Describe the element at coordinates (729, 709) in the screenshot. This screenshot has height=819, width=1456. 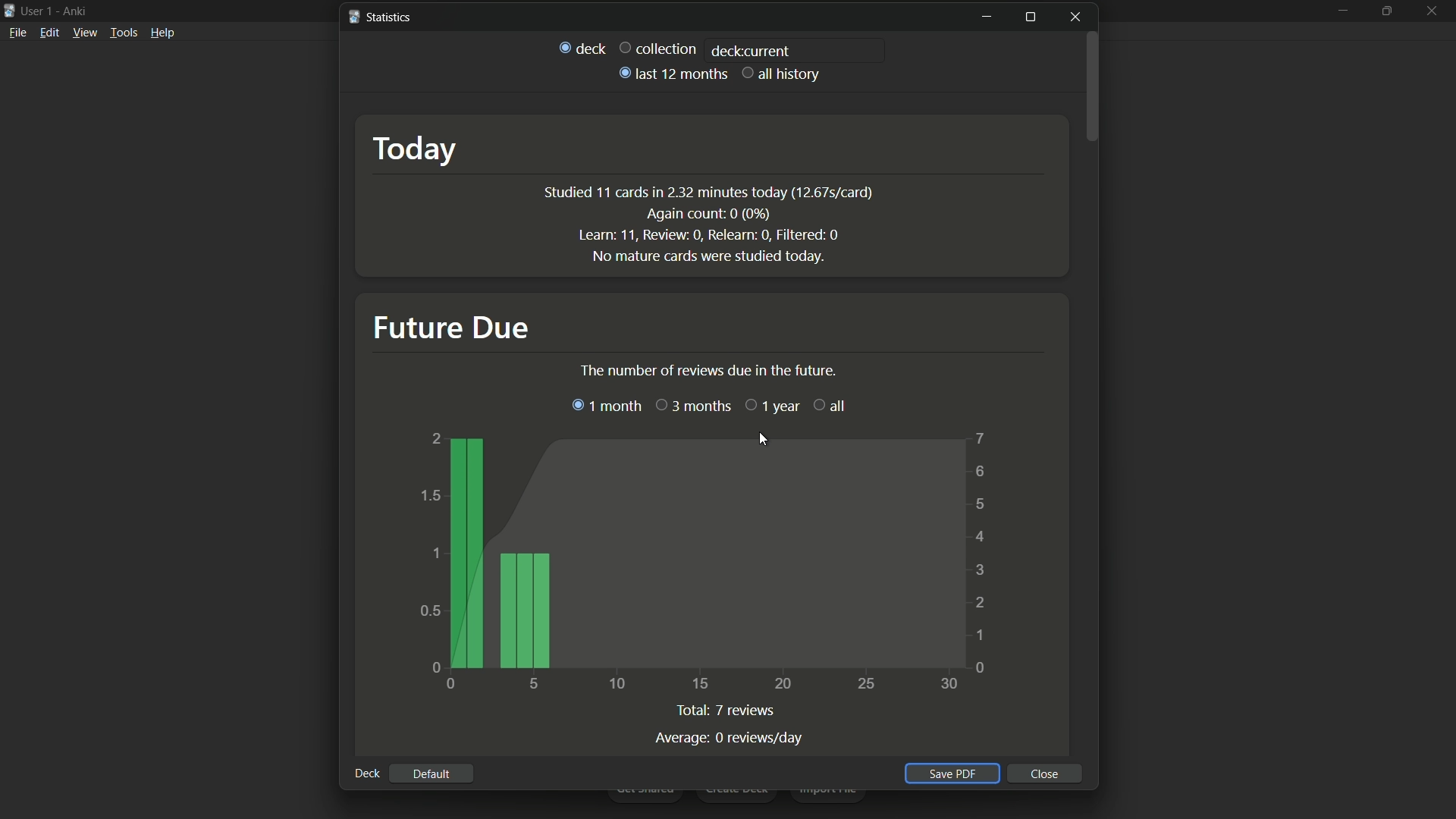
I see `total 7 reviews` at that location.